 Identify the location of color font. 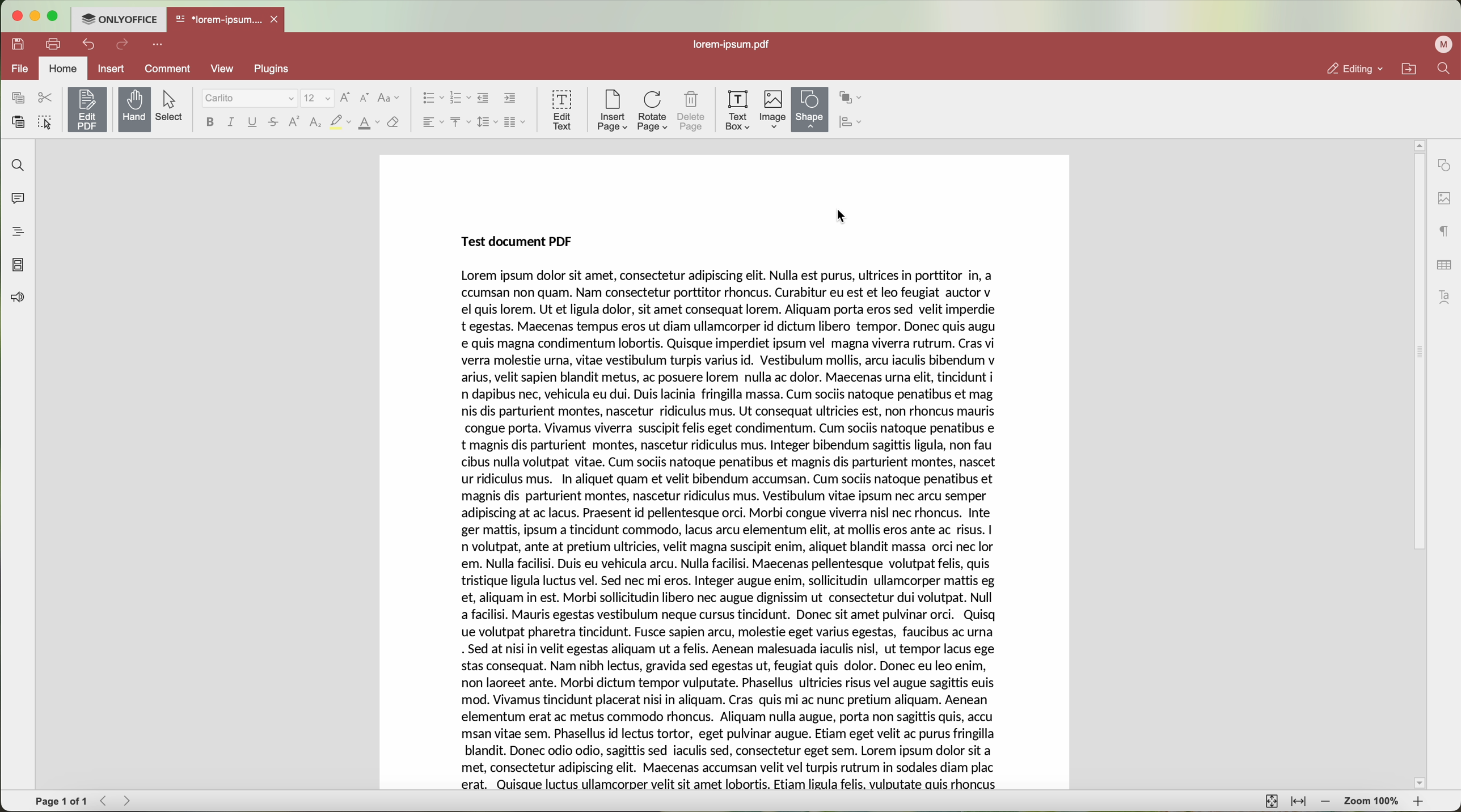
(369, 123).